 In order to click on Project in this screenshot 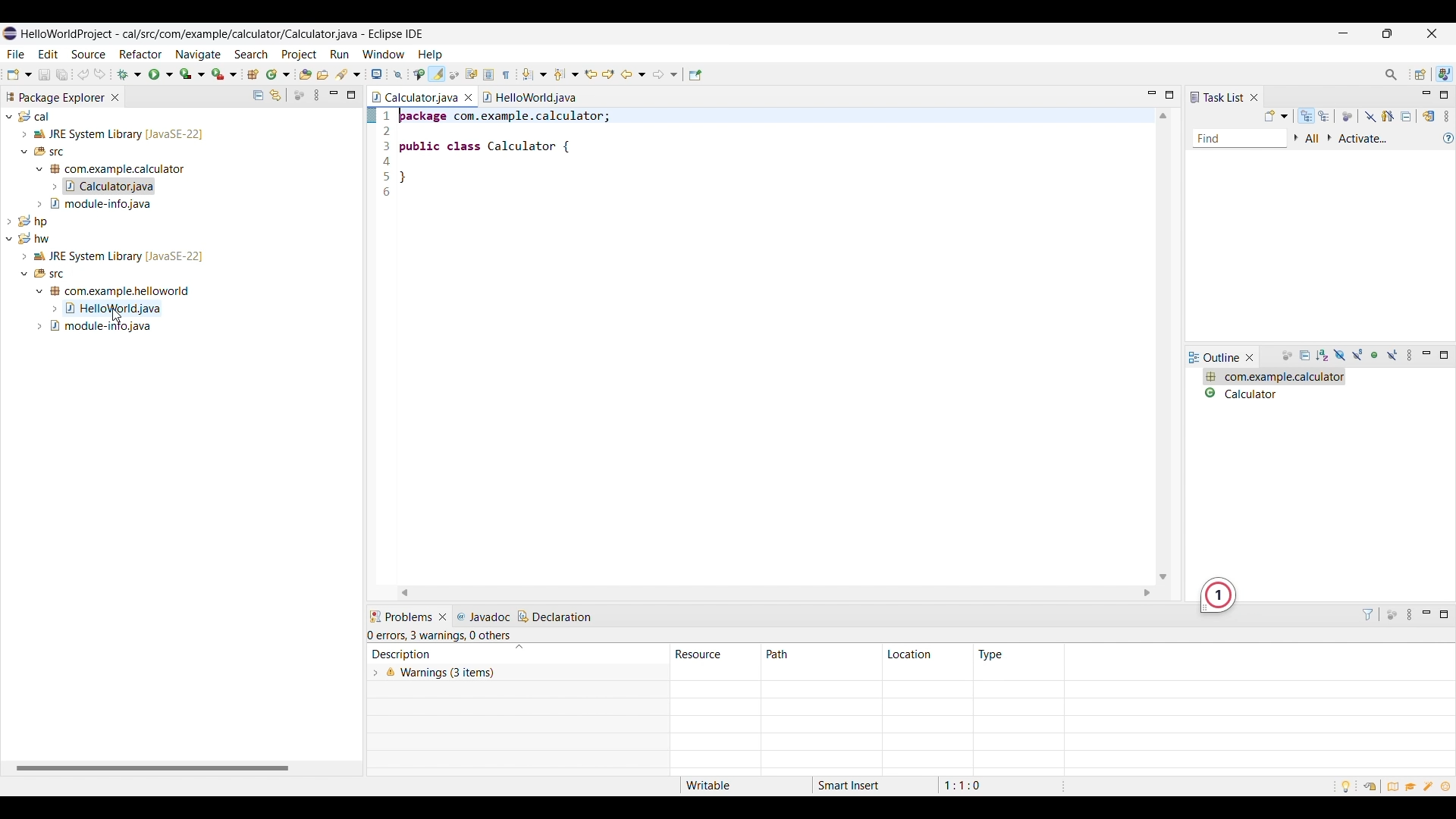, I will do `click(298, 55)`.